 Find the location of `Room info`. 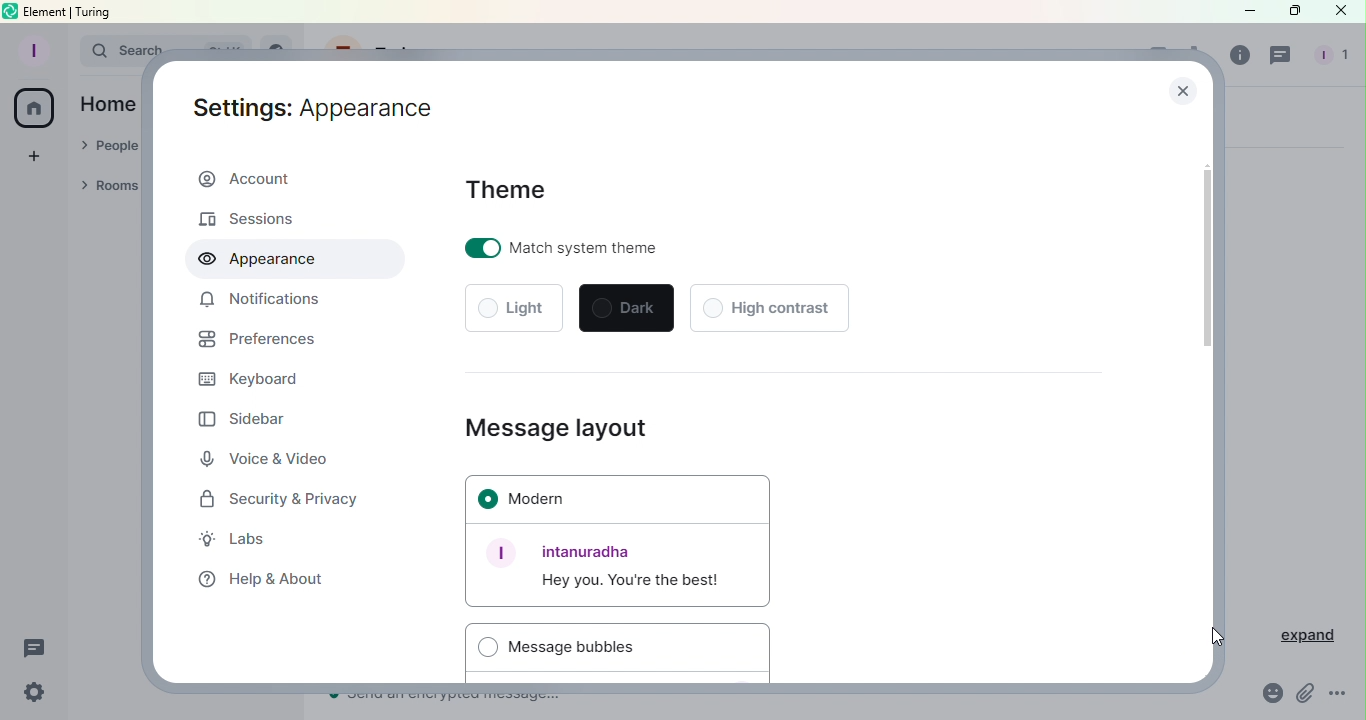

Room info is located at coordinates (1235, 55).